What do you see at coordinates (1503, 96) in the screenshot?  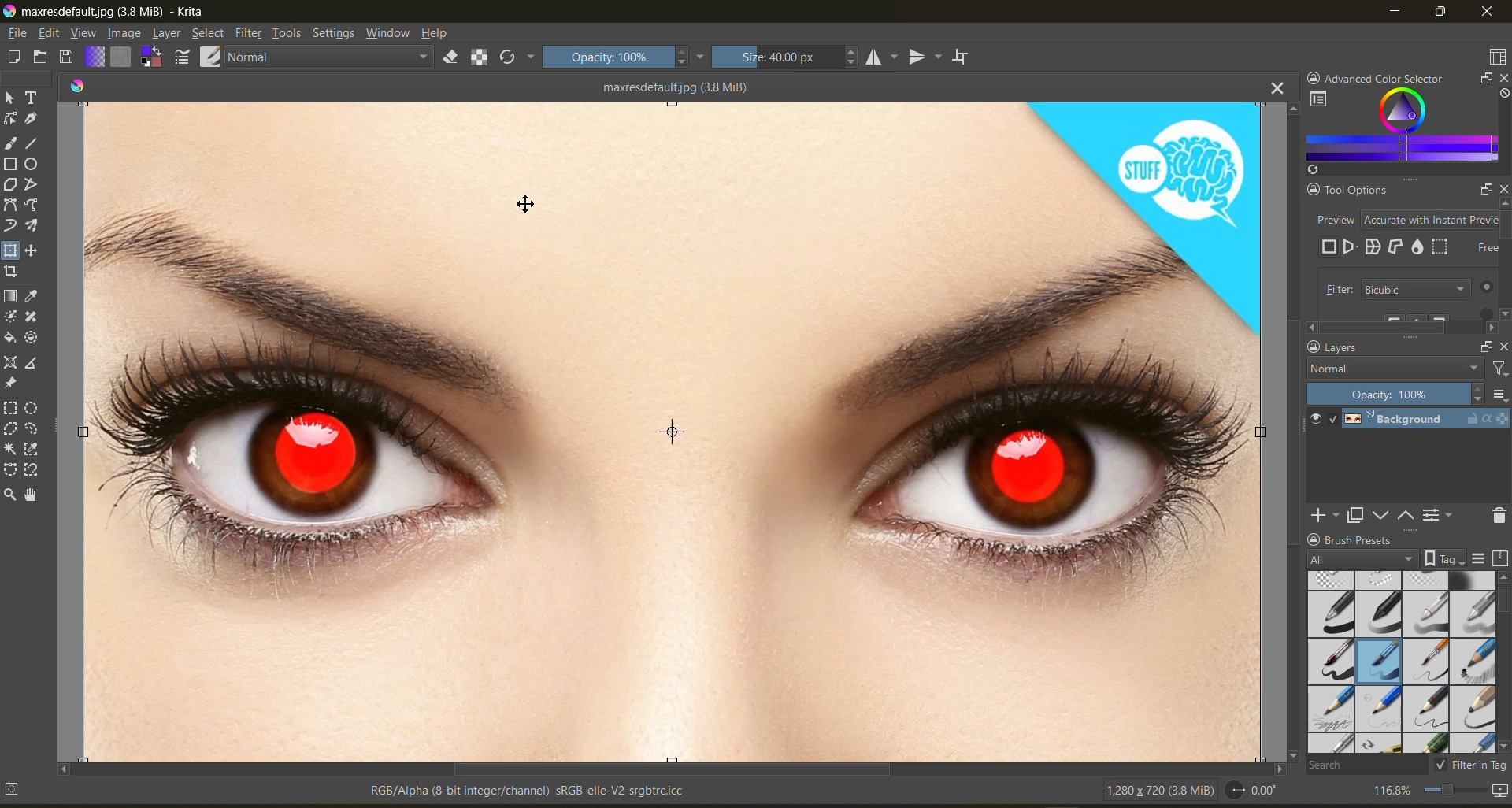 I see `clear all color history` at bounding box center [1503, 96].